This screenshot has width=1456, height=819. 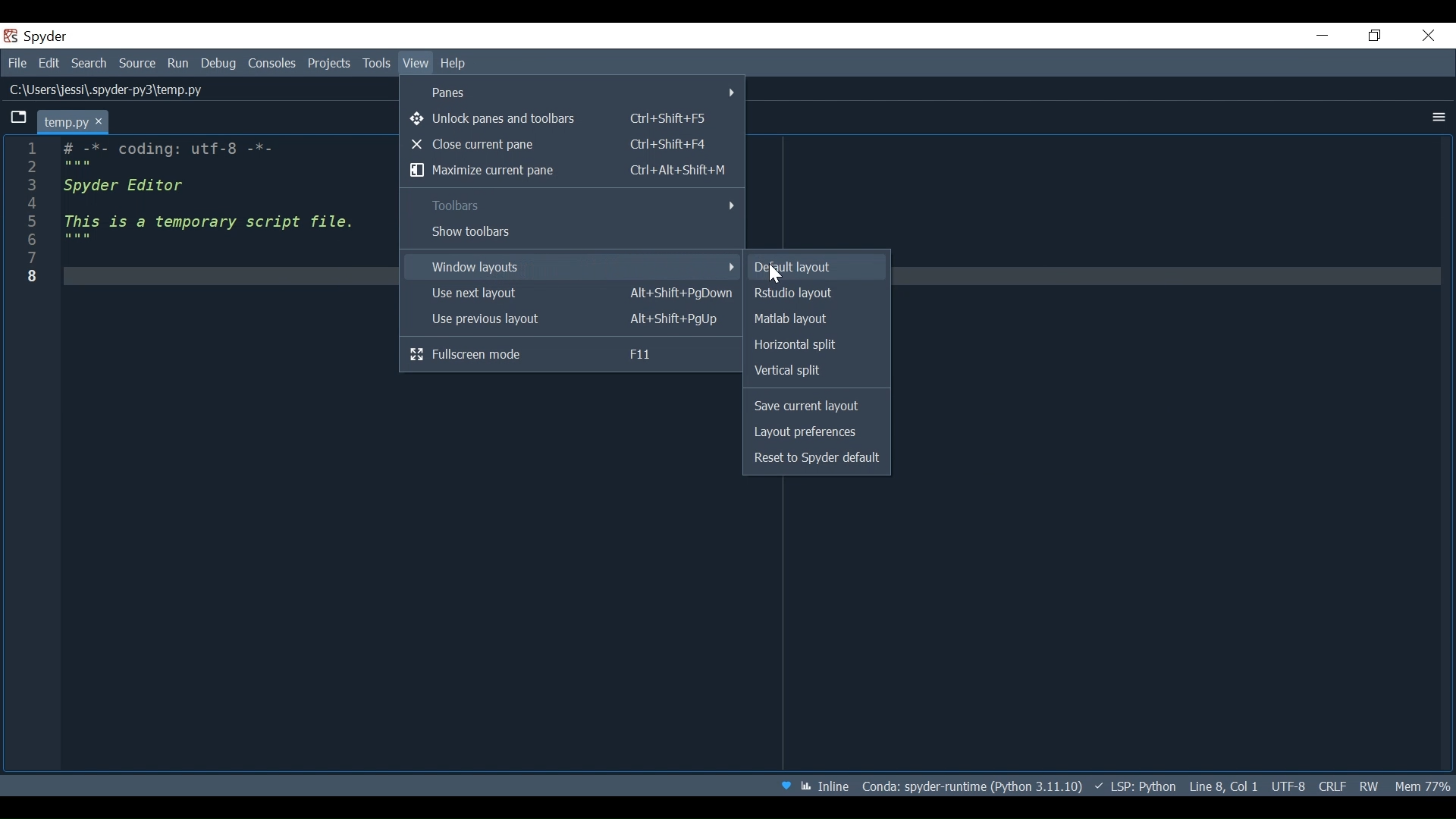 What do you see at coordinates (813, 370) in the screenshot?
I see `Vertical Split` at bounding box center [813, 370].